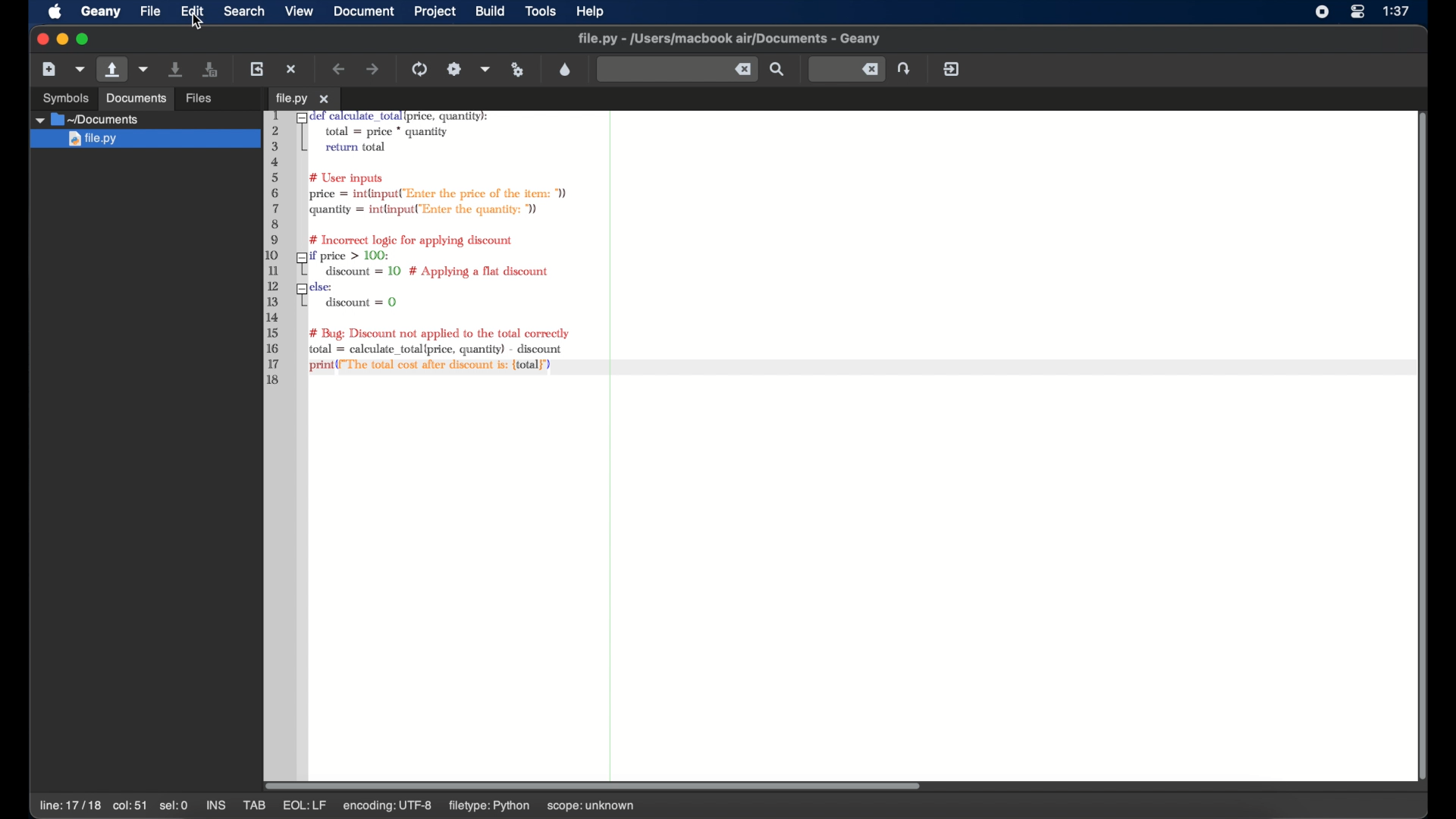 Image resolution: width=1456 pixels, height=819 pixels. Describe the element at coordinates (193, 11) in the screenshot. I see `edit` at that location.